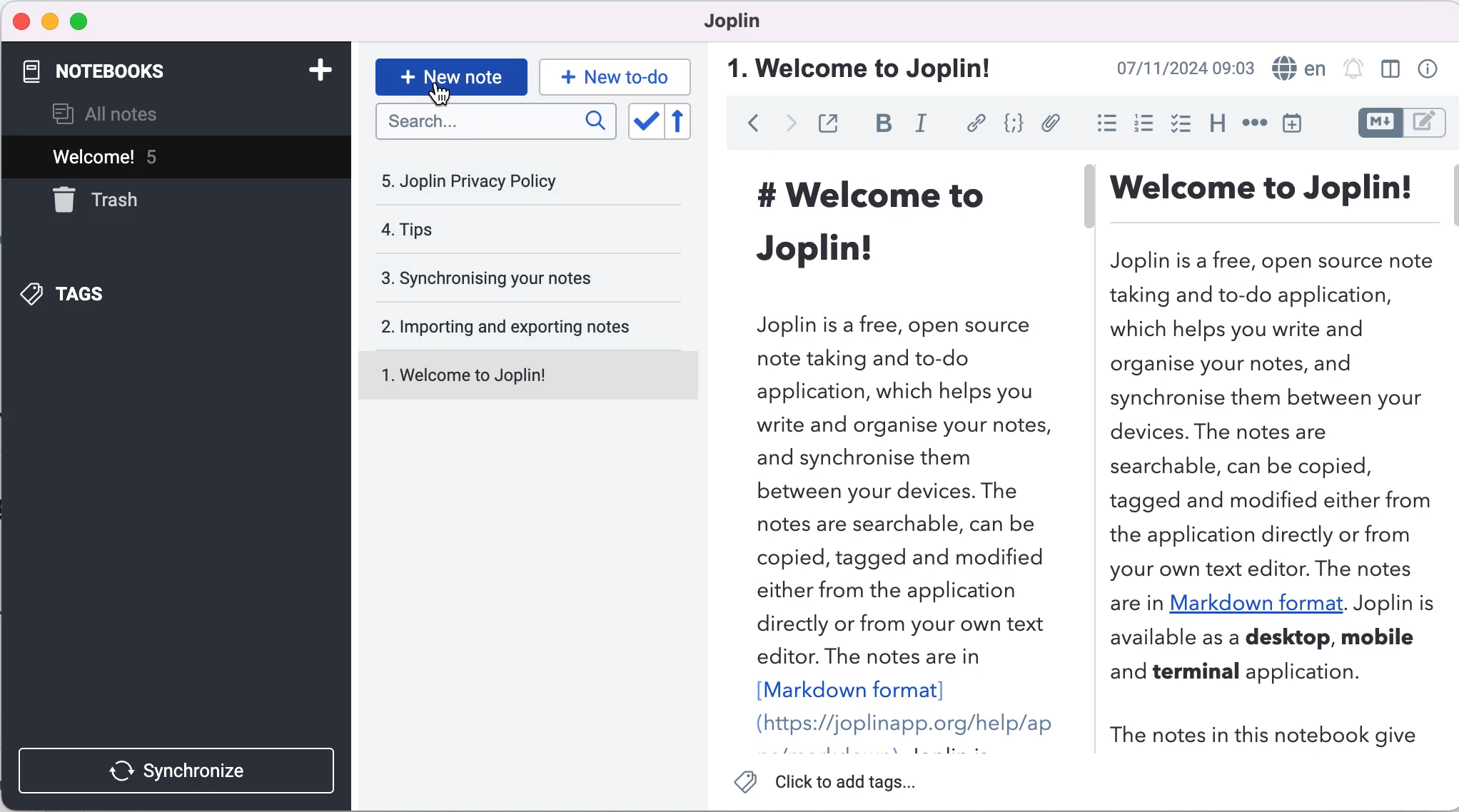 The width and height of the screenshot is (1459, 812). What do you see at coordinates (924, 123) in the screenshot?
I see `italic` at bounding box center [924, 123].